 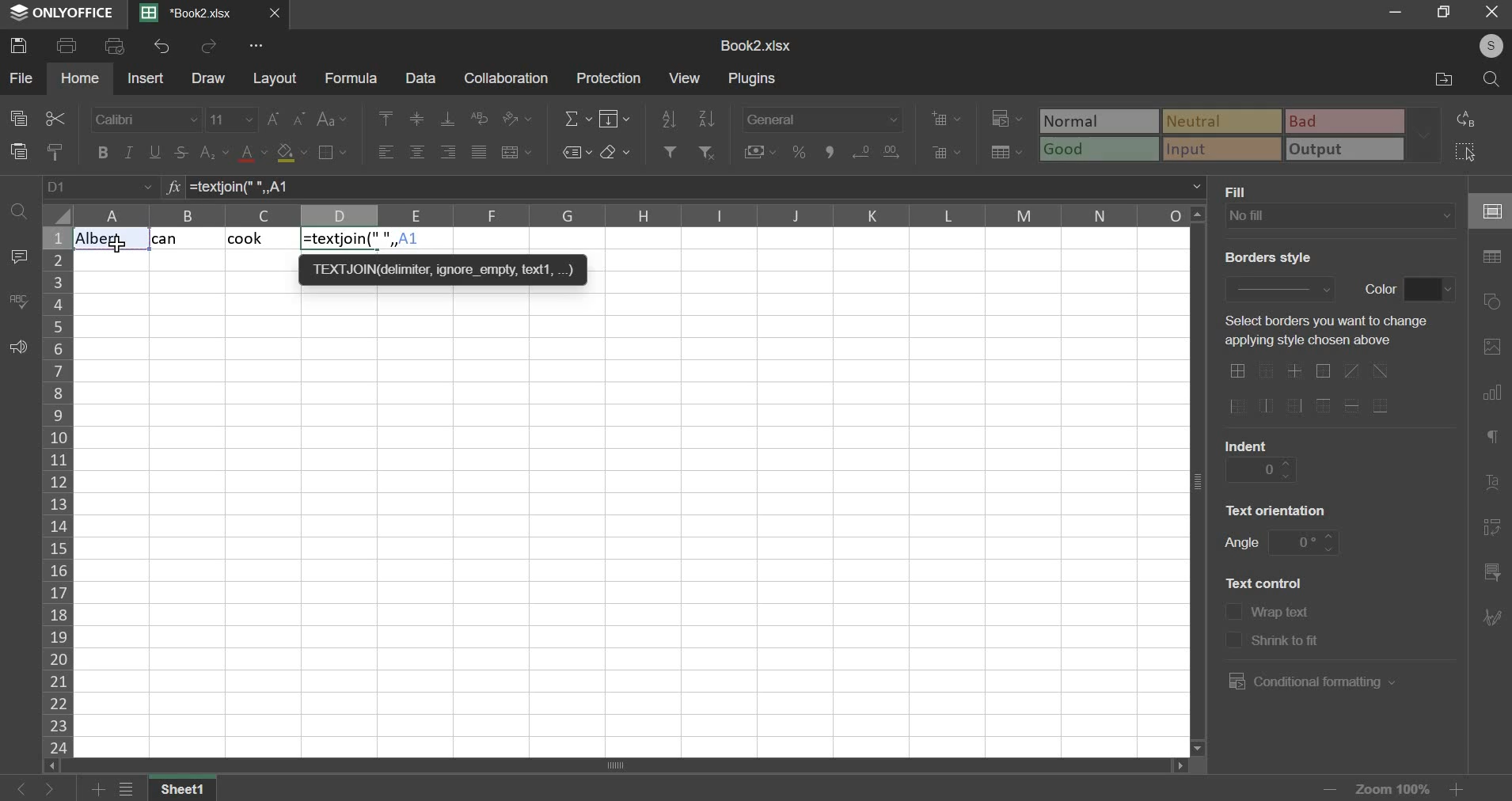 What do you see at coordinates (279, 15) in the screenshot?
I see `close` at bounding box center [279, 15].